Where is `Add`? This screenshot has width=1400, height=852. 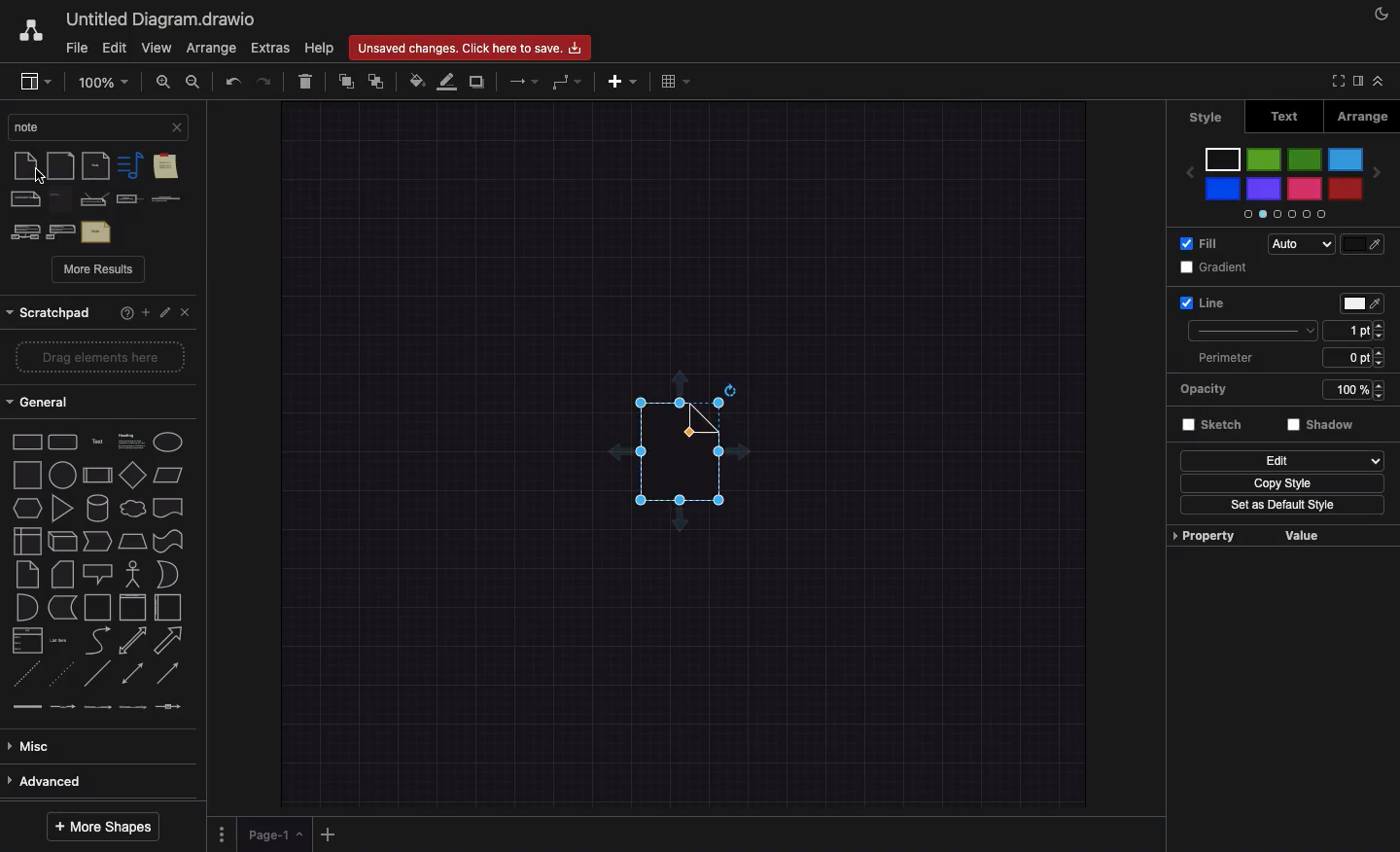 Add is located at coordinates (147, 314).